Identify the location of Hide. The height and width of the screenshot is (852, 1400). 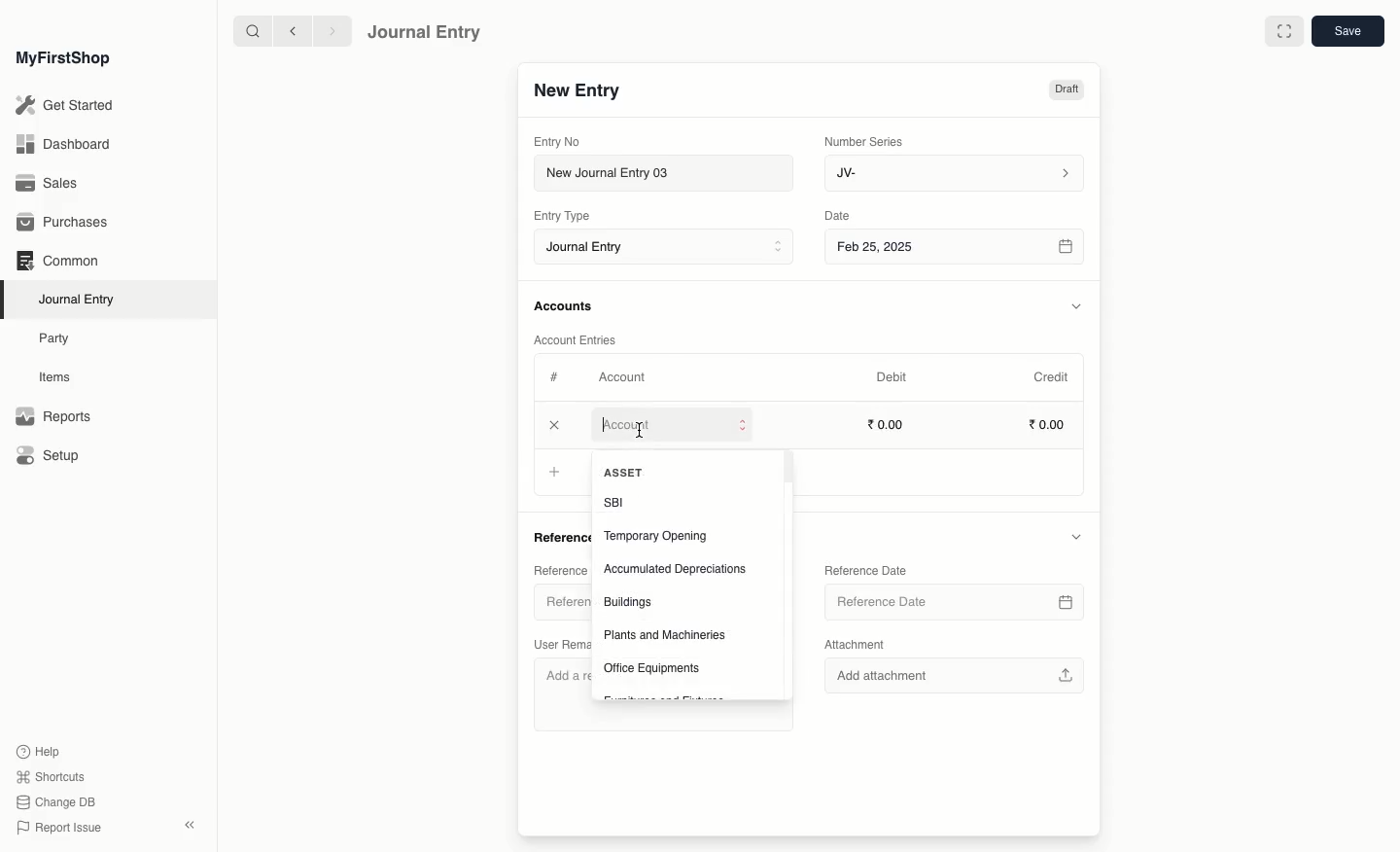
(1080, 538).